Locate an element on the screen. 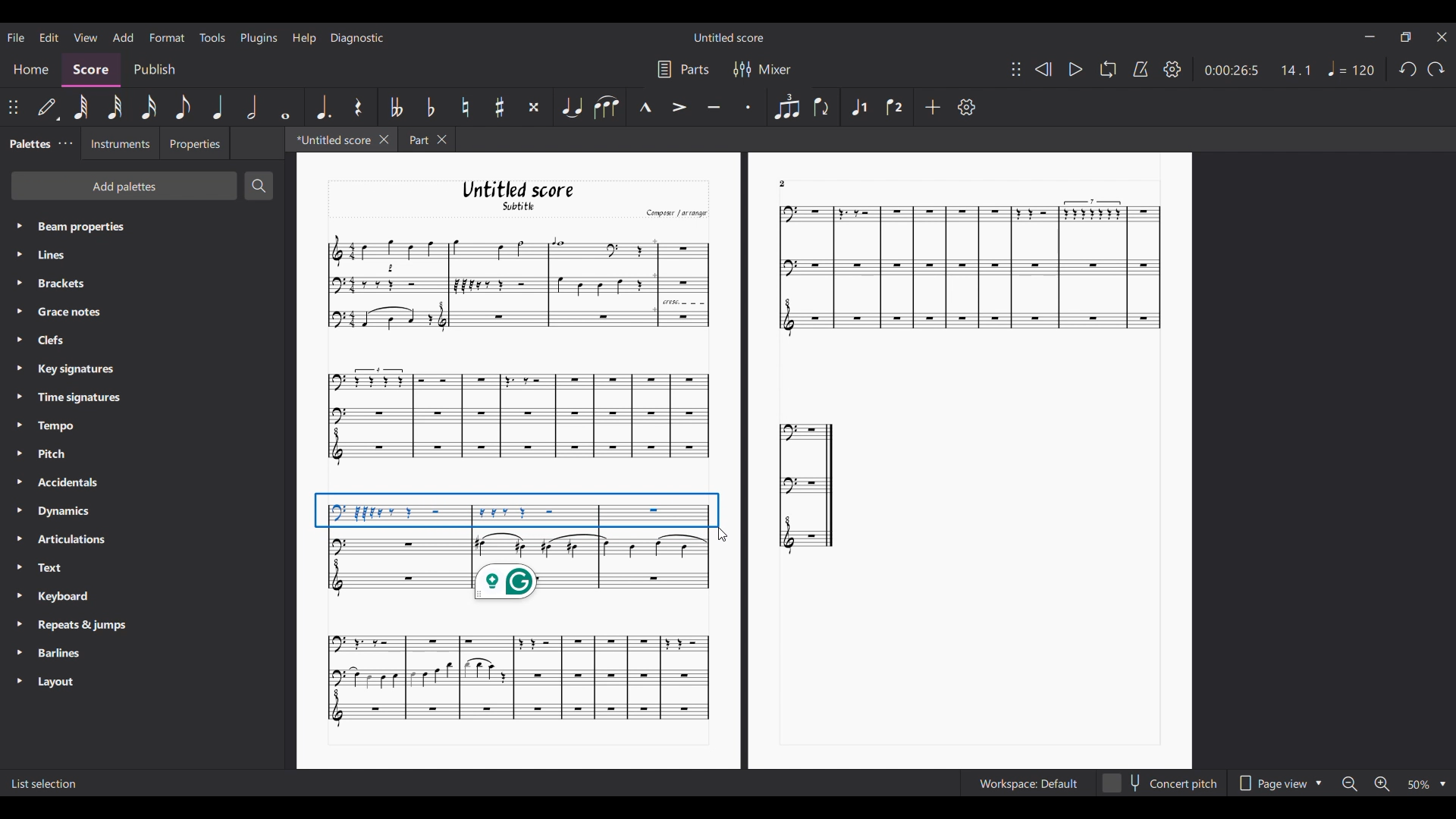 This screenshot has height=819, width=1456. Settings is located at coordinates (967, 107).